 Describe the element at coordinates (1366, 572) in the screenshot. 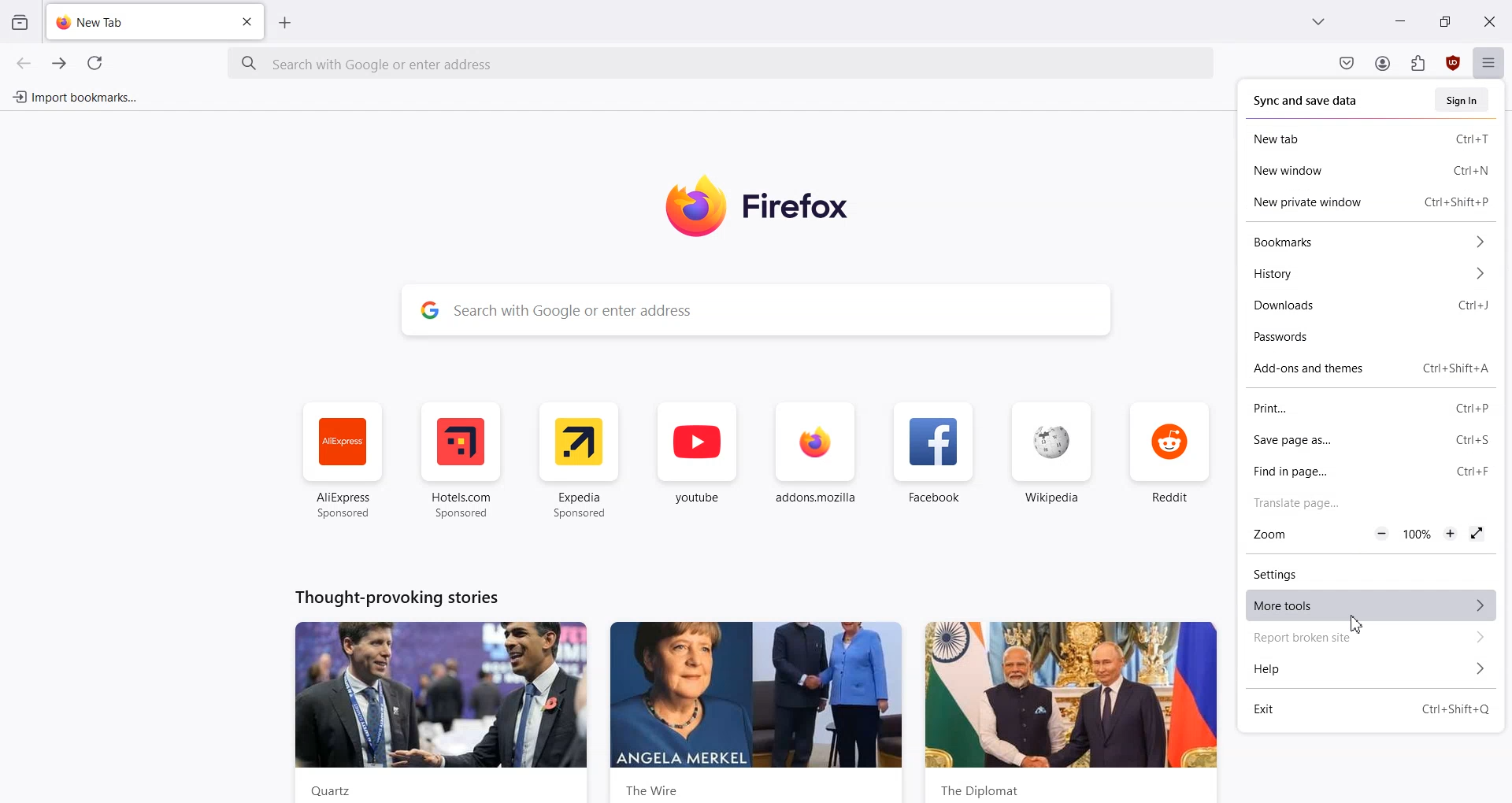

I see `Settings` at that location.